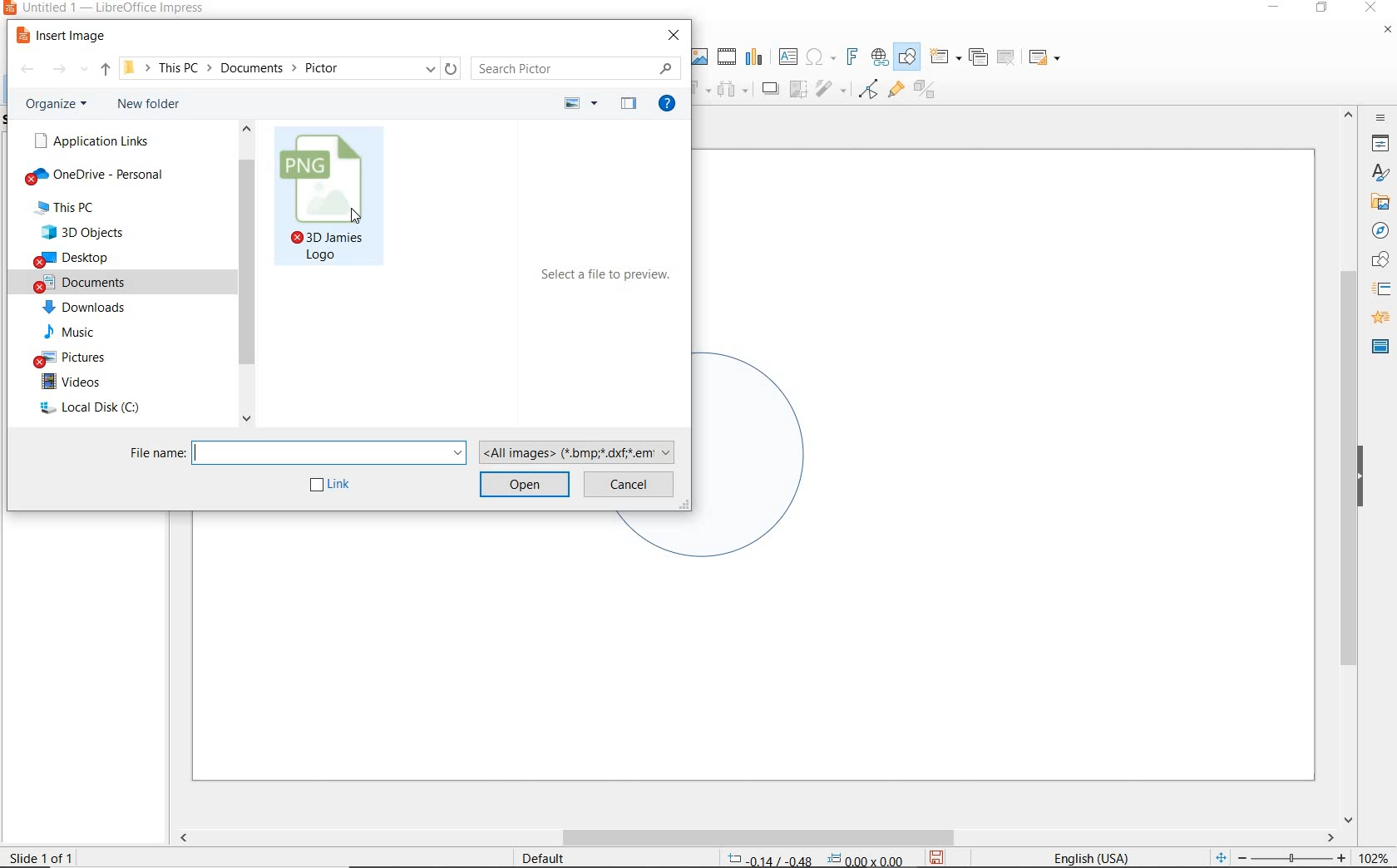 The height and width of the screenshot is (868, 1397). Describe the element at coordinates (1045, 58) in the screenshot. I see `slide layout` at that location.